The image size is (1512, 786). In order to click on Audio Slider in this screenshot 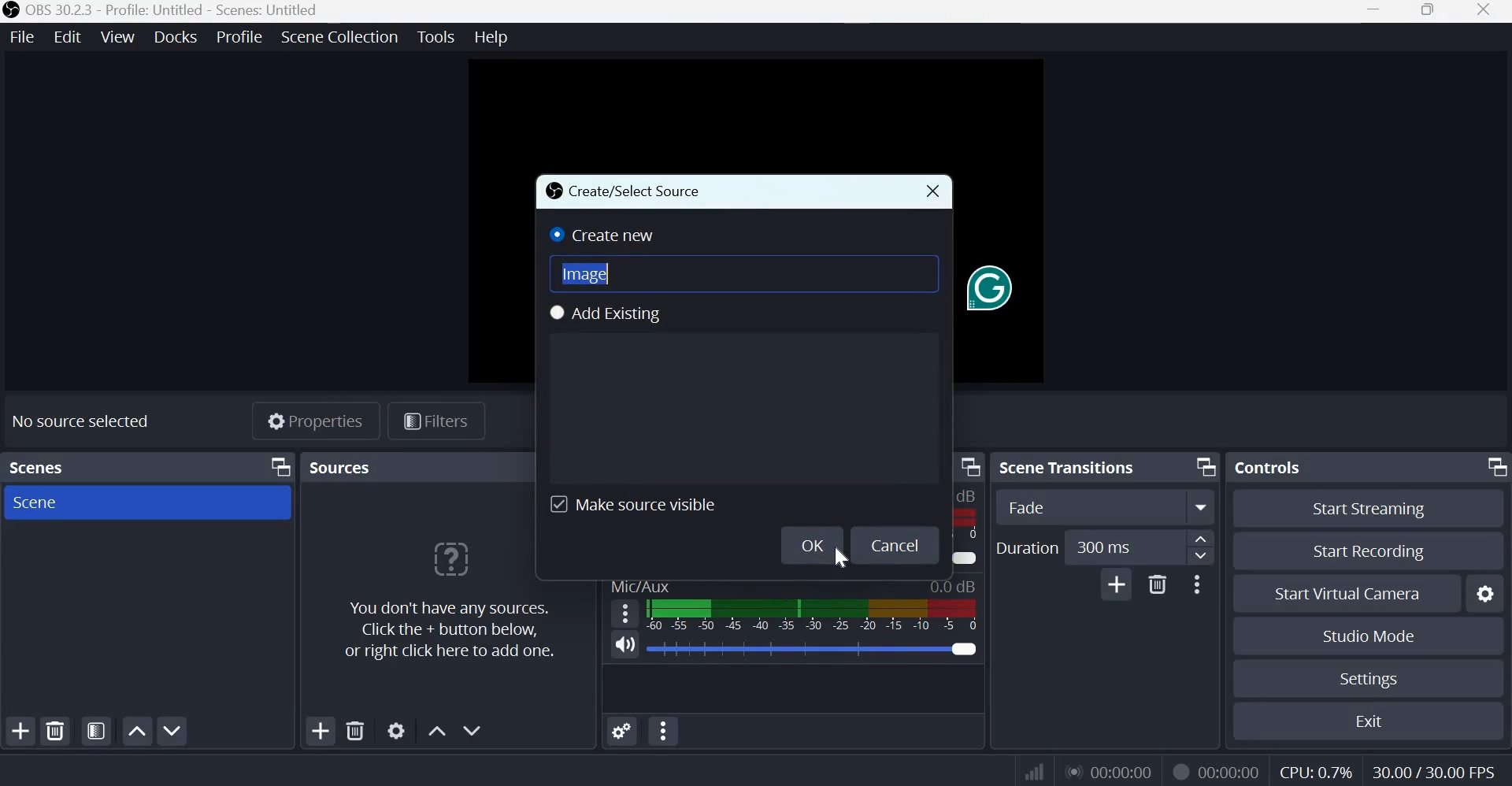, I will do `click(814, 651)`.